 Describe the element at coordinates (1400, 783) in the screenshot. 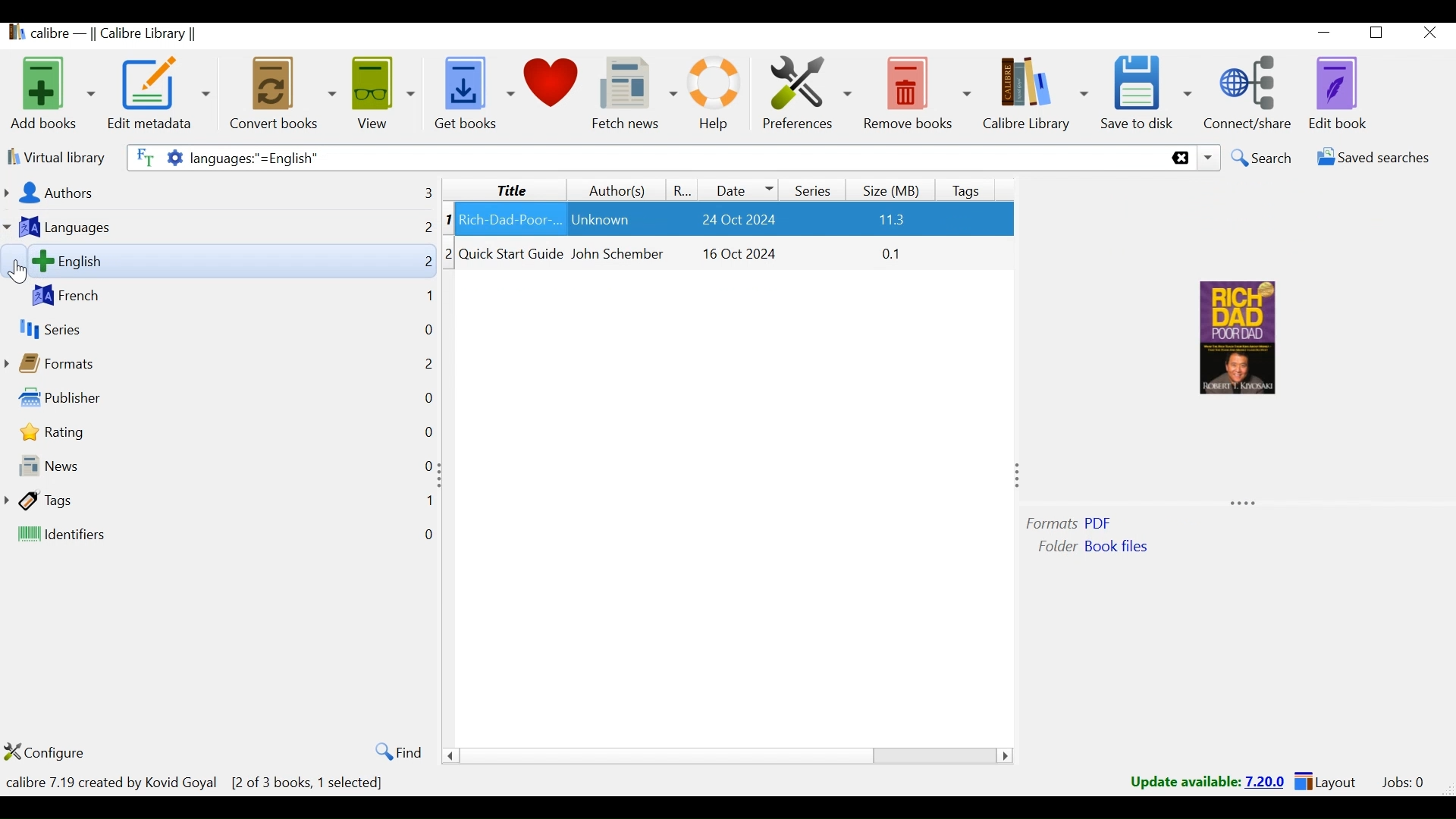

I see `Jobs: 0` at that location.